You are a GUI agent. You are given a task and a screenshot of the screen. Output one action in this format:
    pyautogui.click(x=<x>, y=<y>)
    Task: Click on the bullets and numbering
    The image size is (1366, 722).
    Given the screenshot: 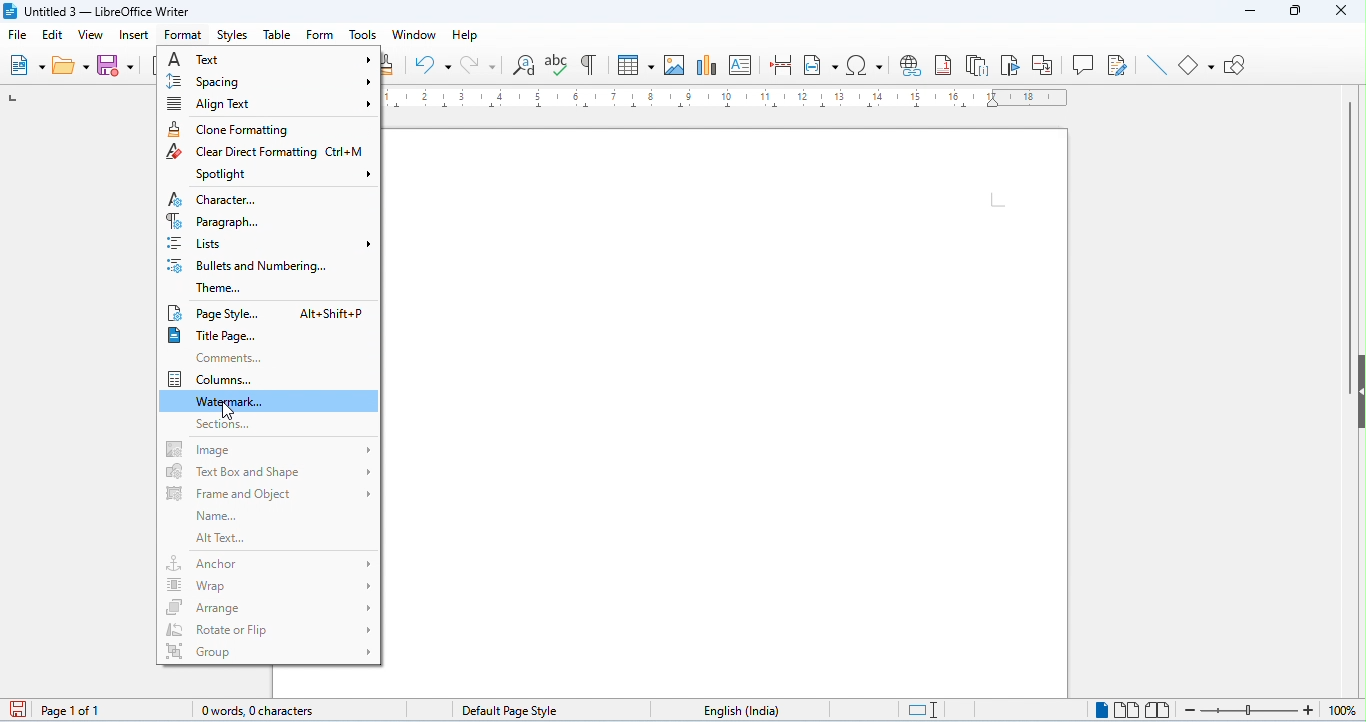 What is the action you would take?
    pyautogui.click(x=260, y=267)
    